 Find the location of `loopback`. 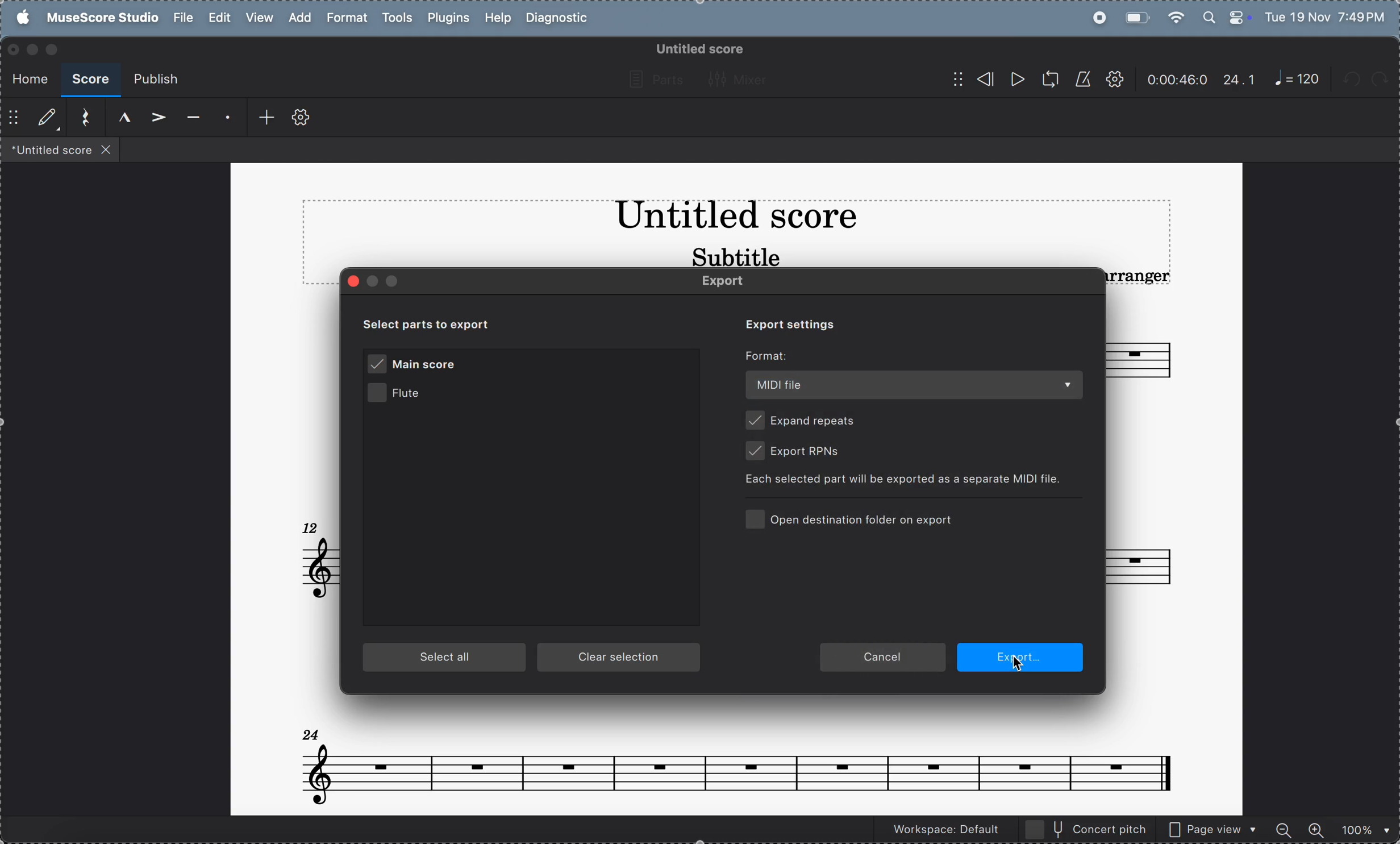

loopback is located at coordinates (1046, 80).